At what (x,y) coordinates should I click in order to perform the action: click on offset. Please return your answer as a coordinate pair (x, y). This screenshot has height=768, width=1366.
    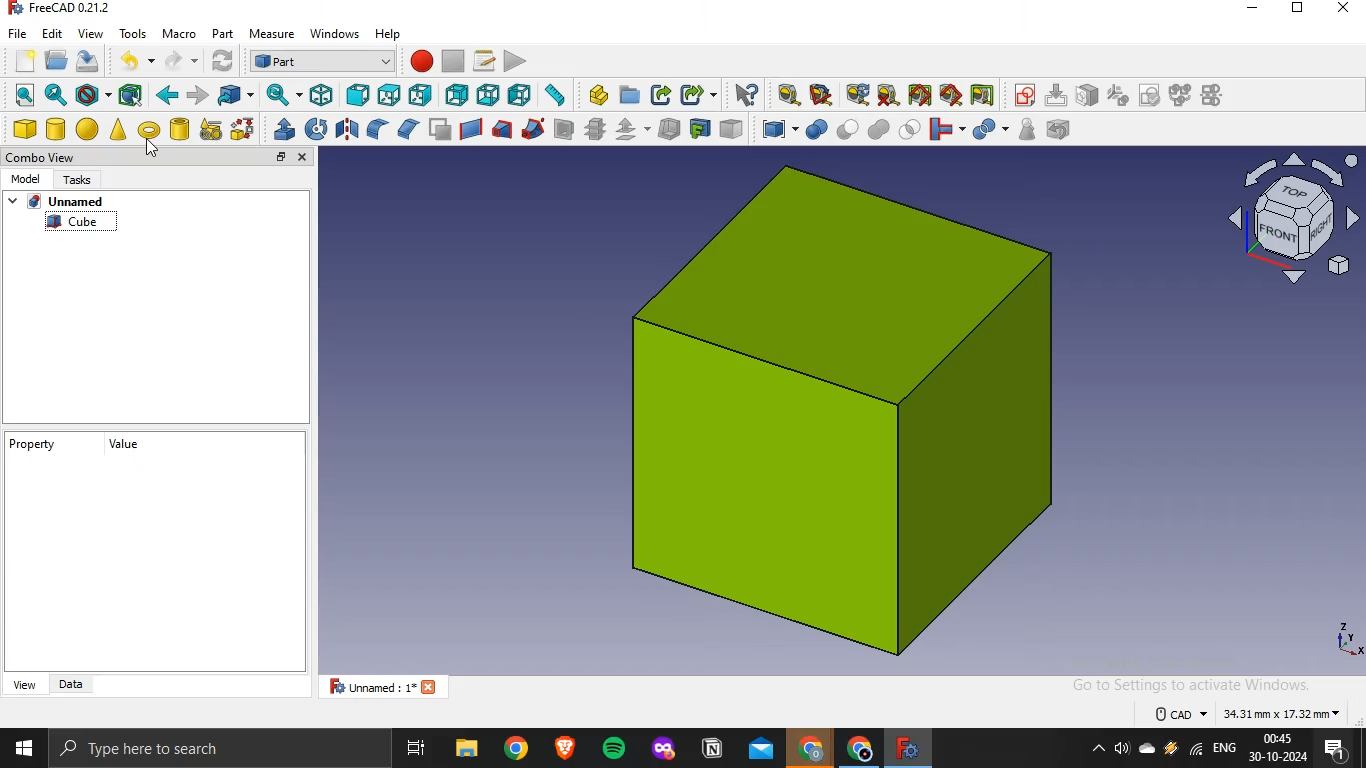
    Looking at the image, I should click on (626, 130).